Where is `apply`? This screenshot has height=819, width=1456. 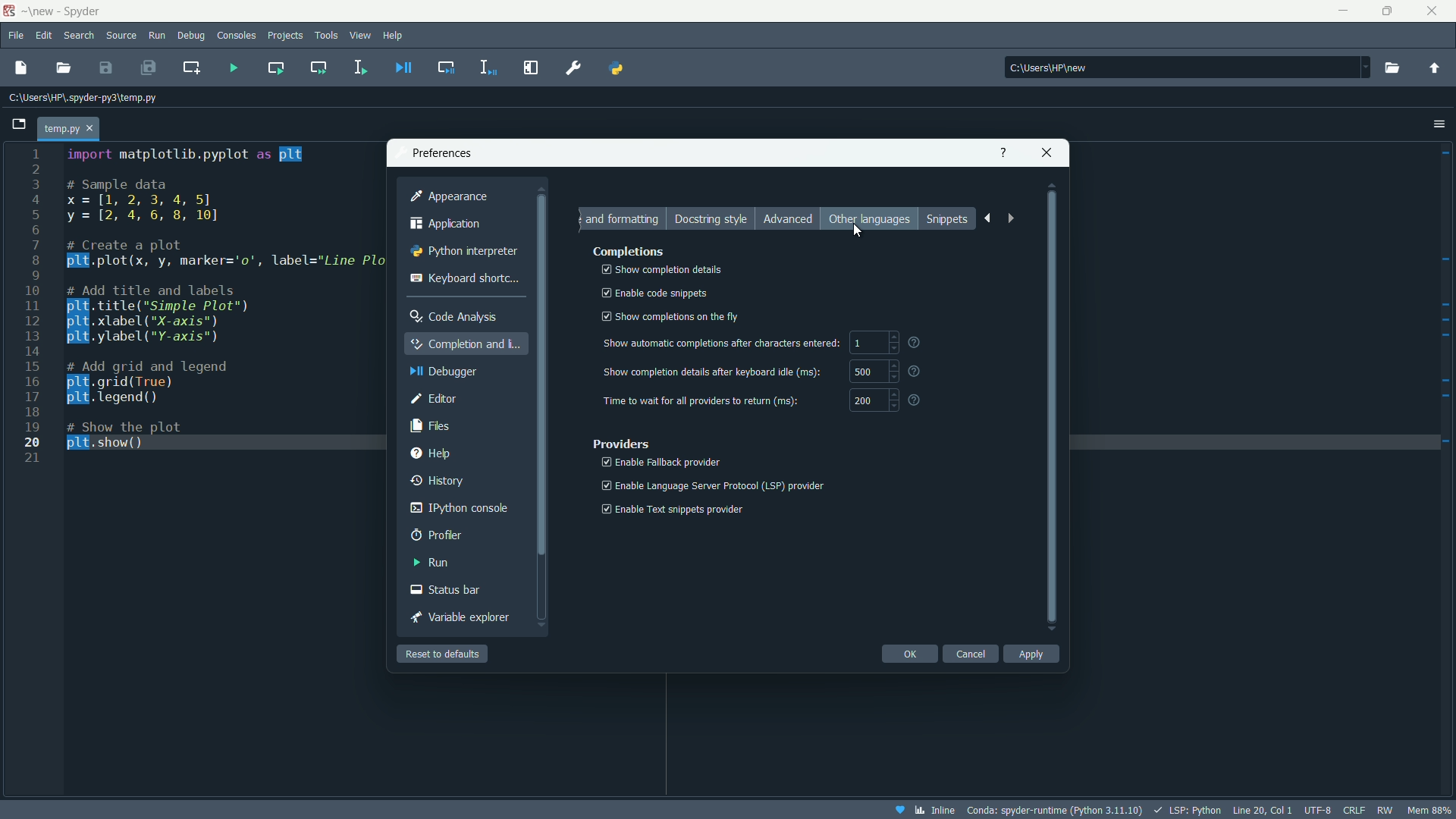 apply is located at coordinates (1031, 654).